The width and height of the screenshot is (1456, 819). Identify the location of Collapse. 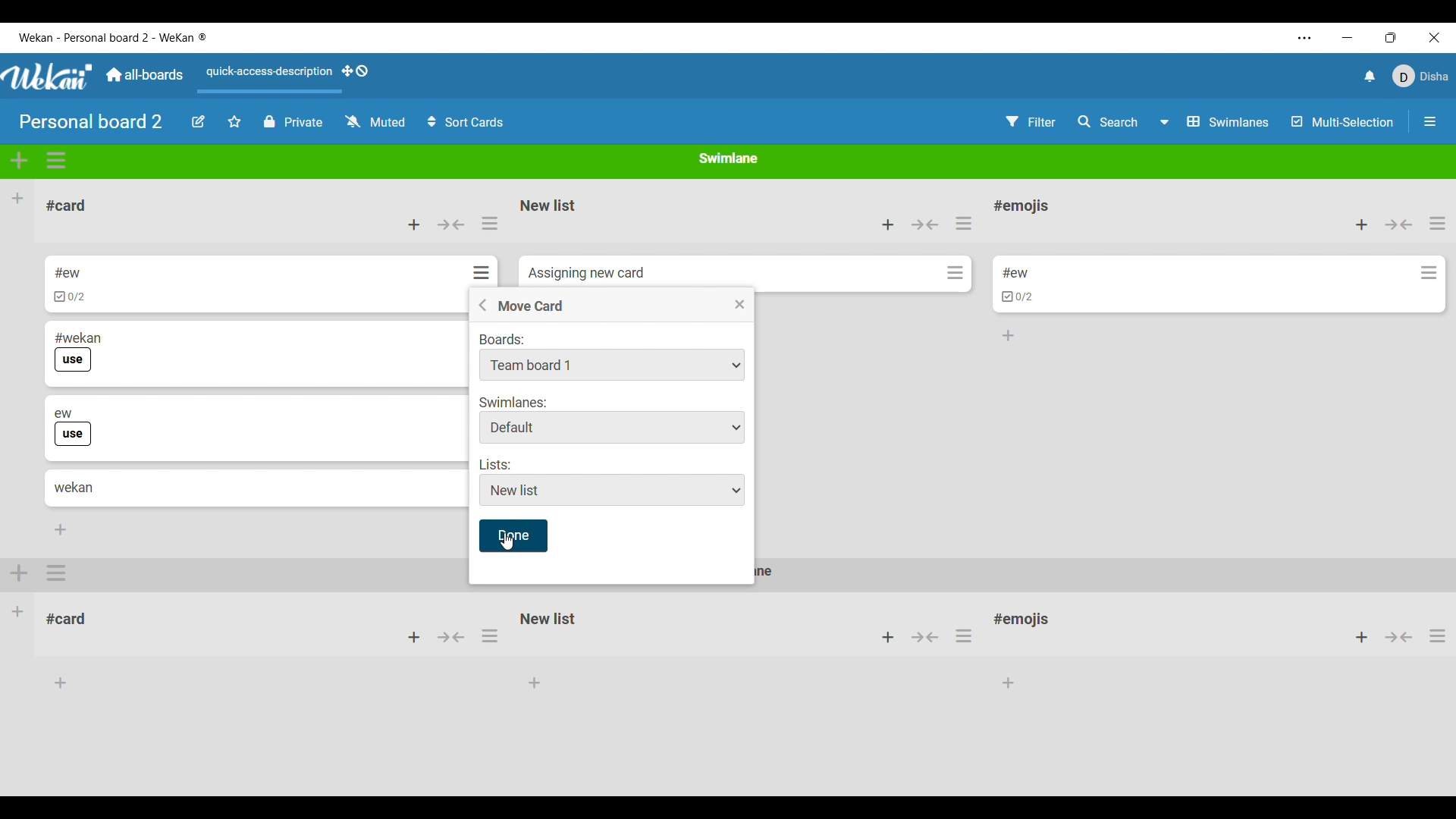
(450, 224).